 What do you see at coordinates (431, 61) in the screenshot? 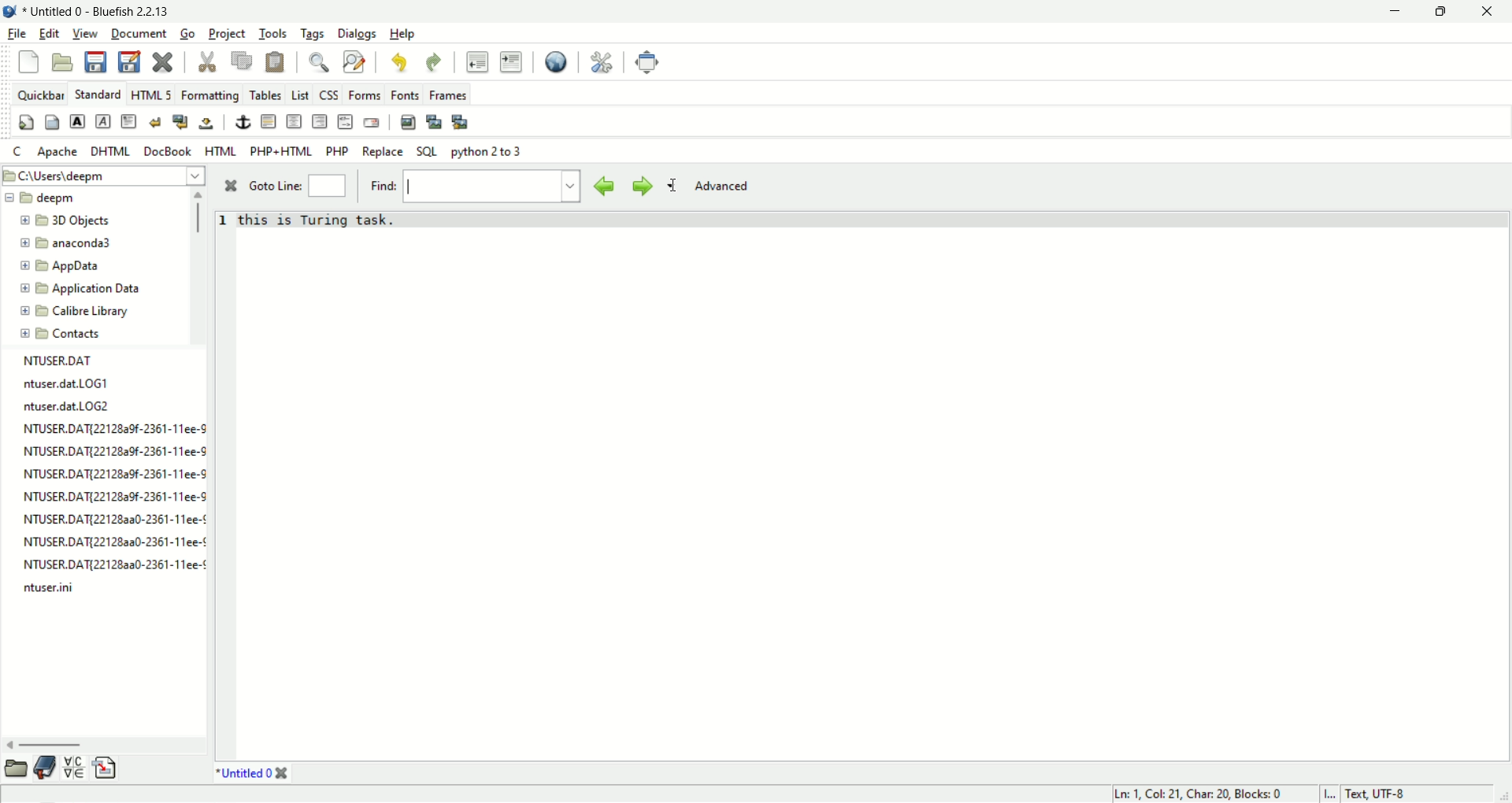
I see `redo` at bounding box center [431, 61].